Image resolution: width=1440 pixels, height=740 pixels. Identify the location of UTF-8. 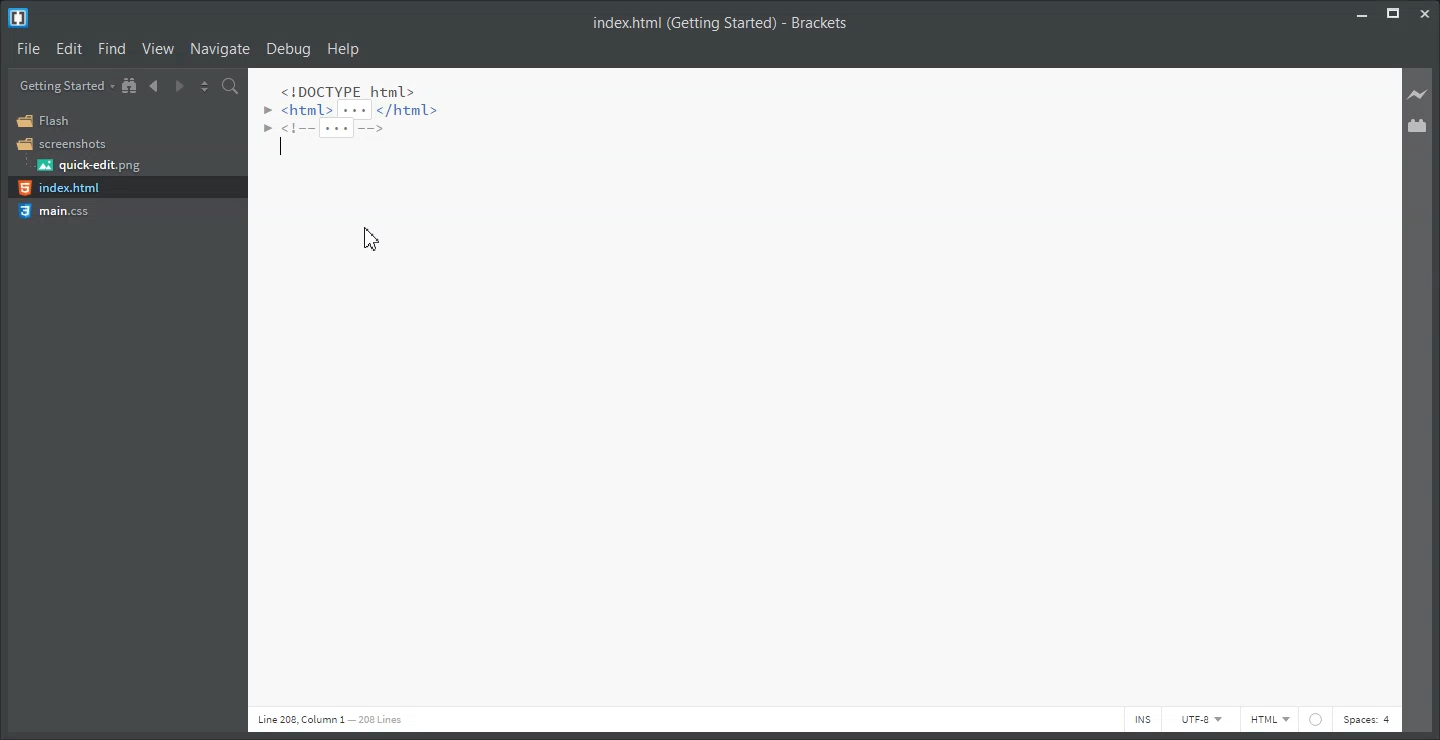
(1204, 719).